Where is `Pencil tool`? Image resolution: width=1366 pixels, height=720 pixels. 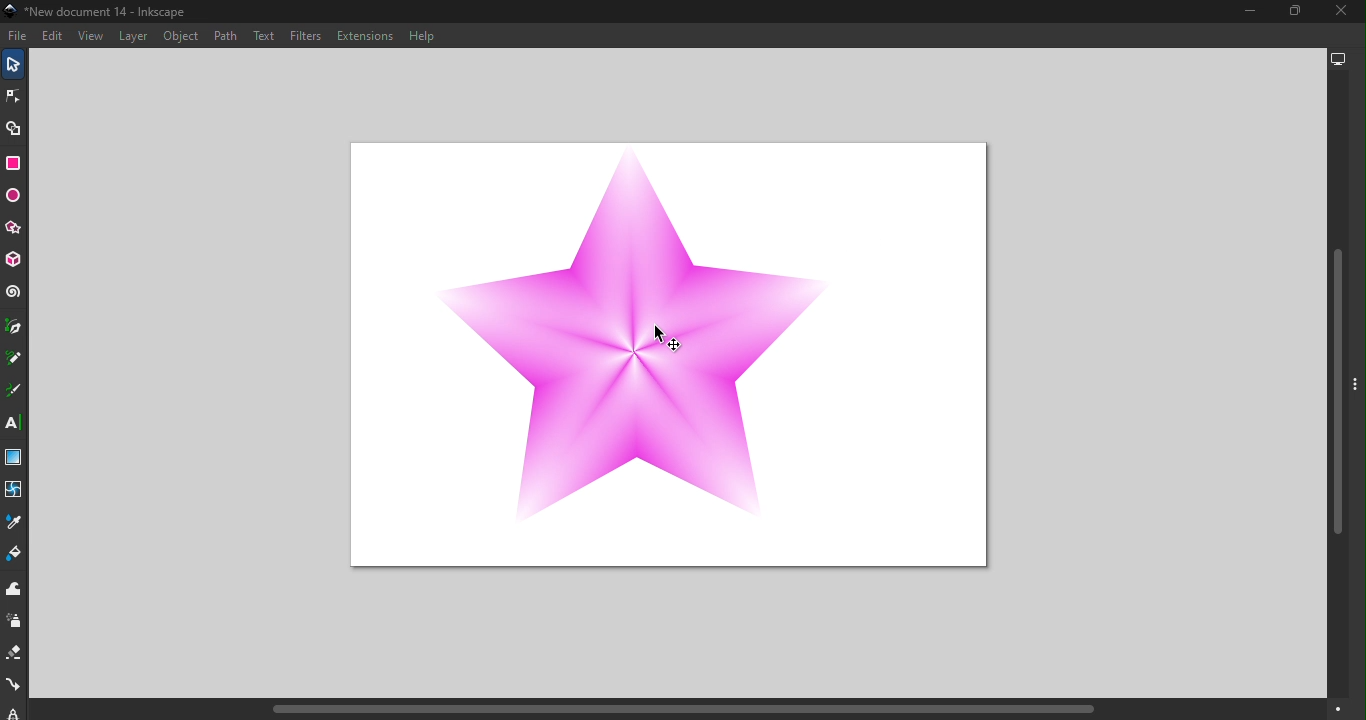 Pencil tool is located at coordinates (14, 357).